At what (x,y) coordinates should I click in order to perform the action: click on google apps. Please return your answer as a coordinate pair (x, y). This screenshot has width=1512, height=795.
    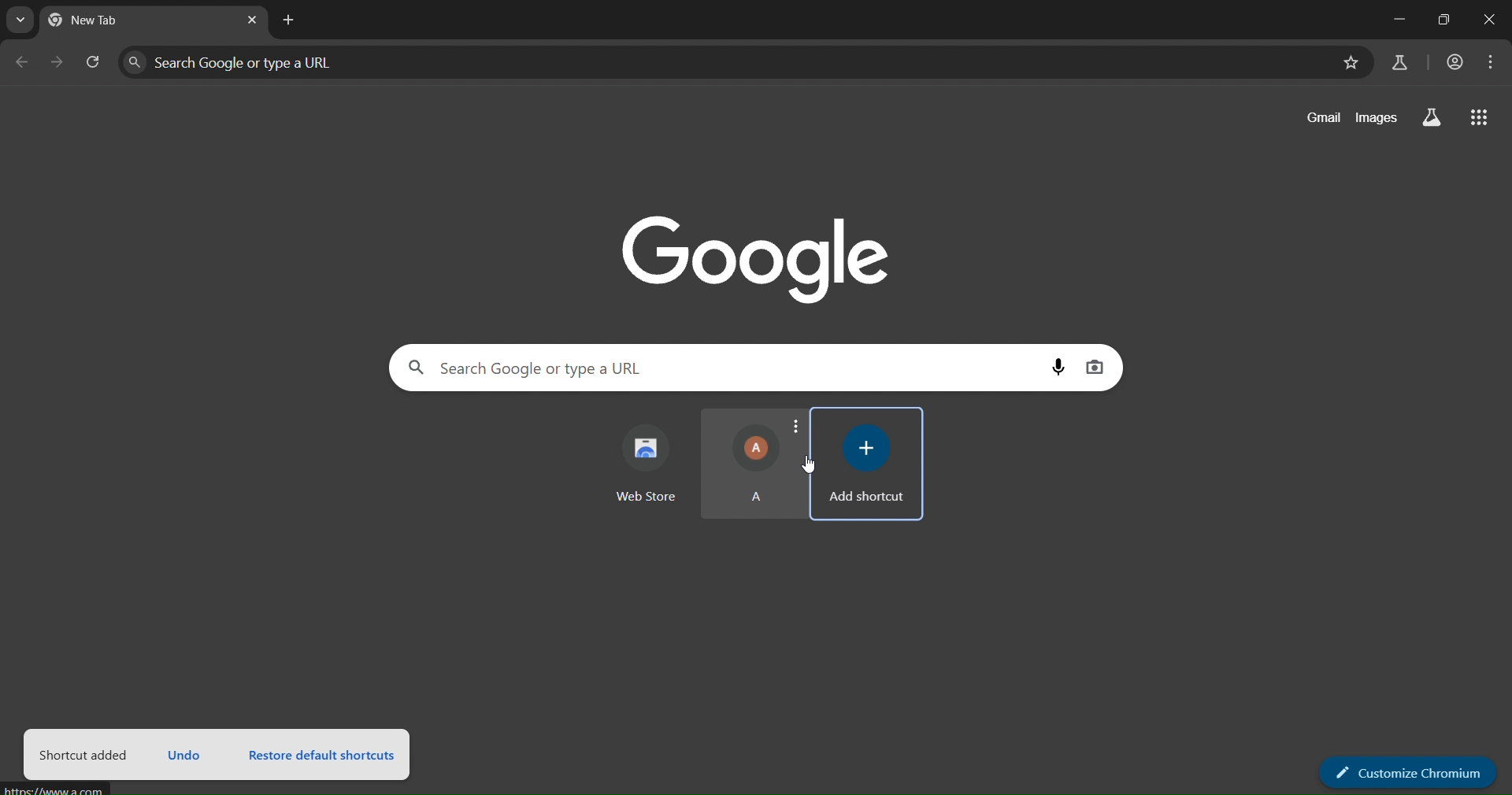
    Looking at the image, I should click on (1480, 119).